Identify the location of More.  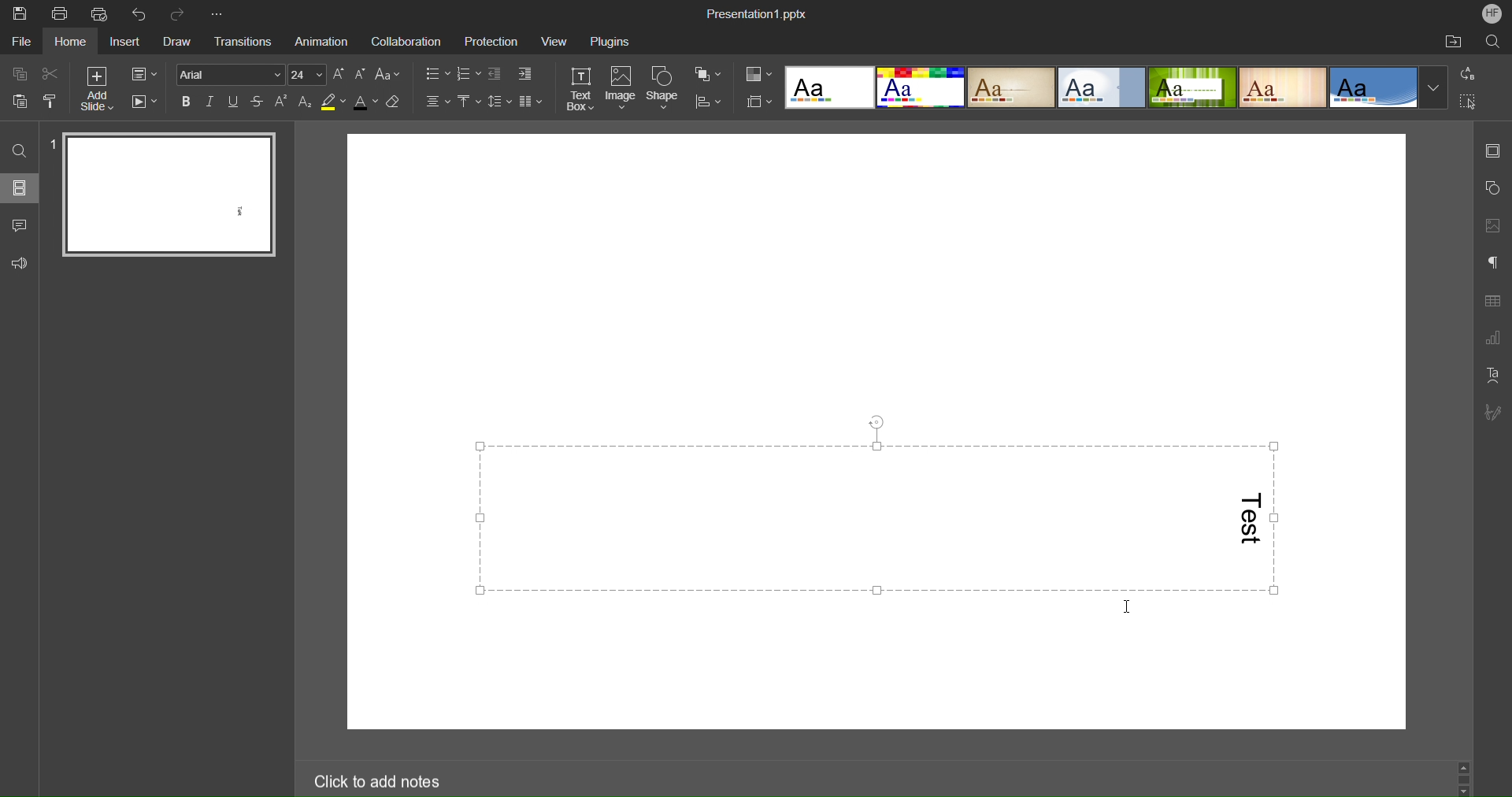
(221, 13).